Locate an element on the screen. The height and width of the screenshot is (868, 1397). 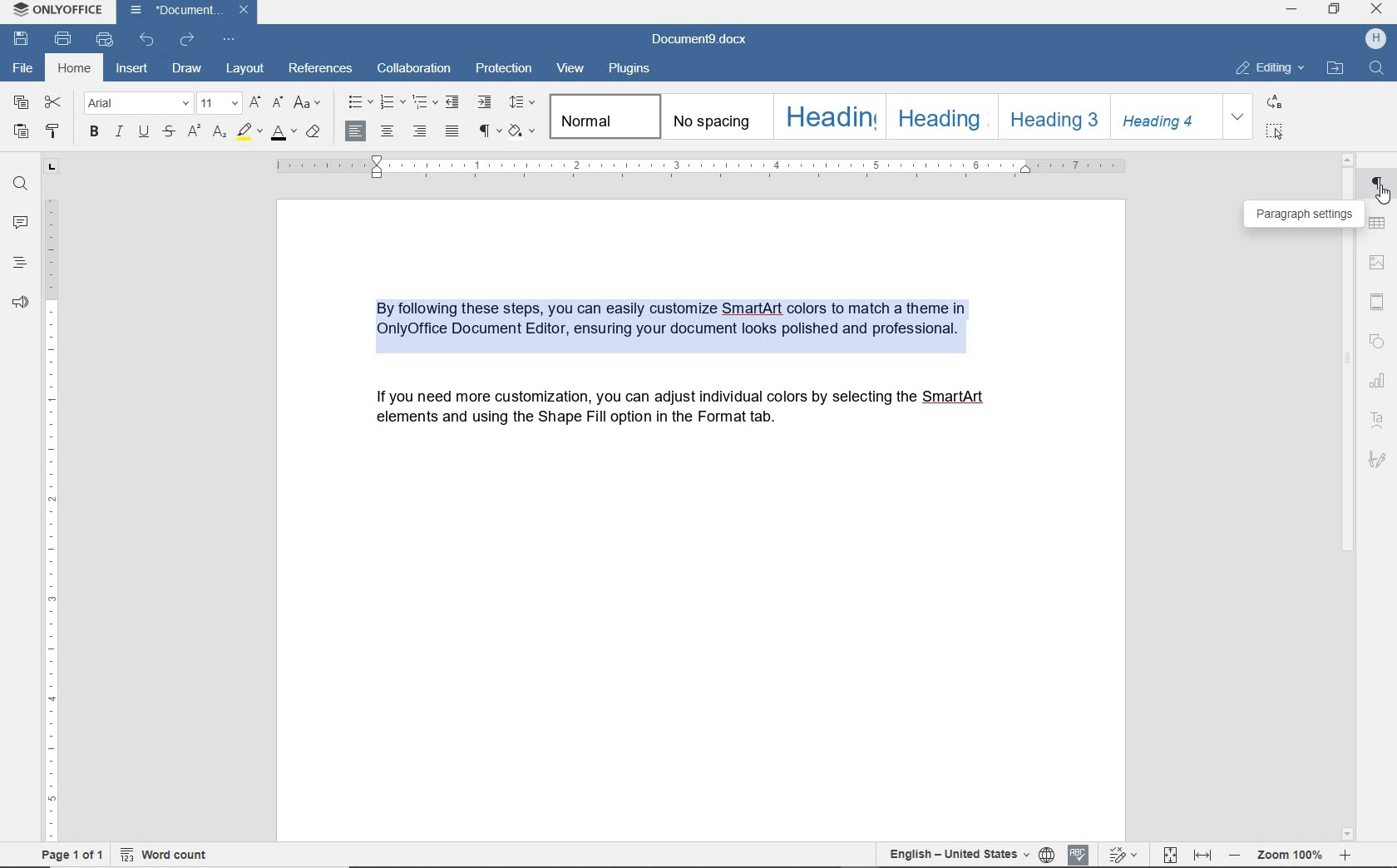
headings is located at coordinates (20, 264).